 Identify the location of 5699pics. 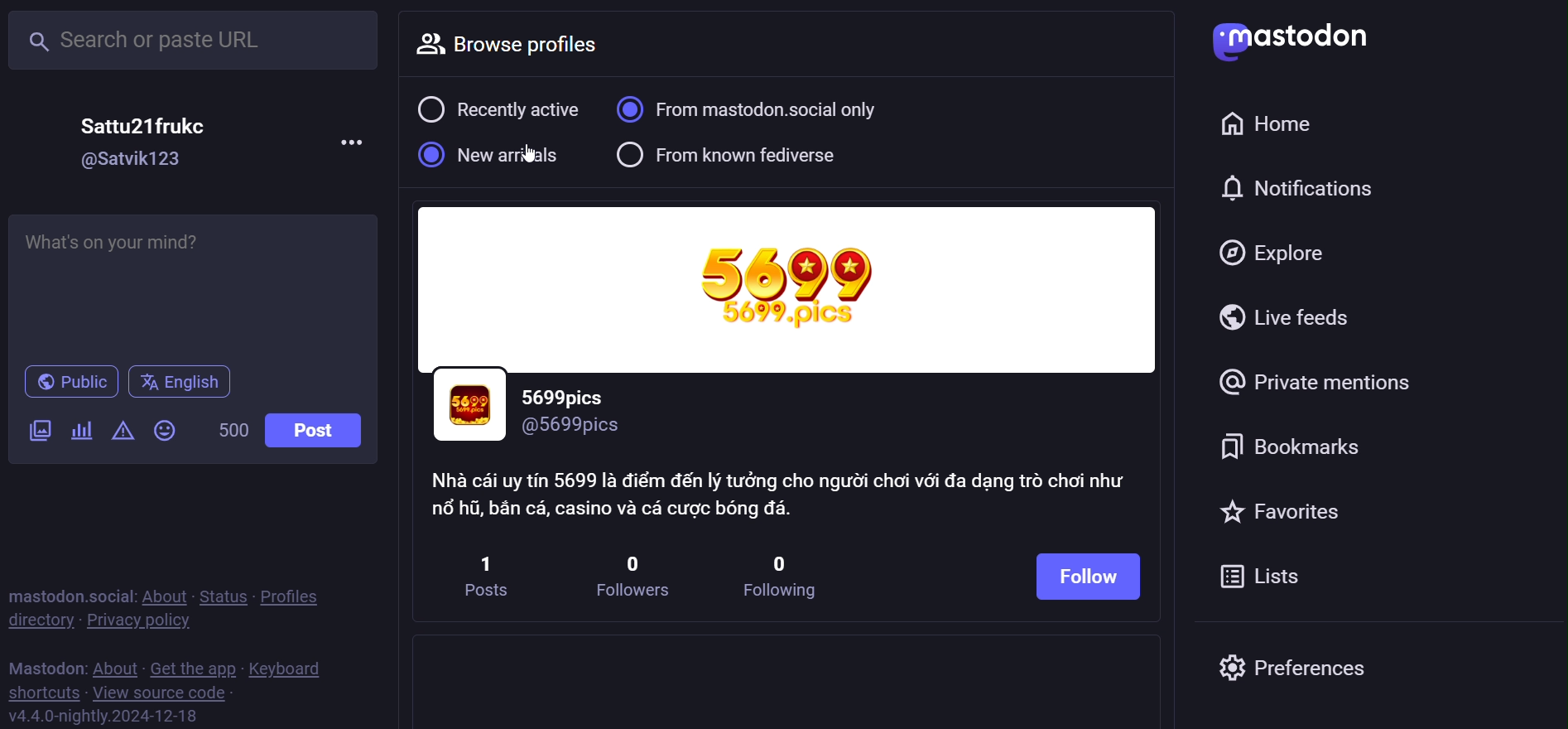
(570, 391).